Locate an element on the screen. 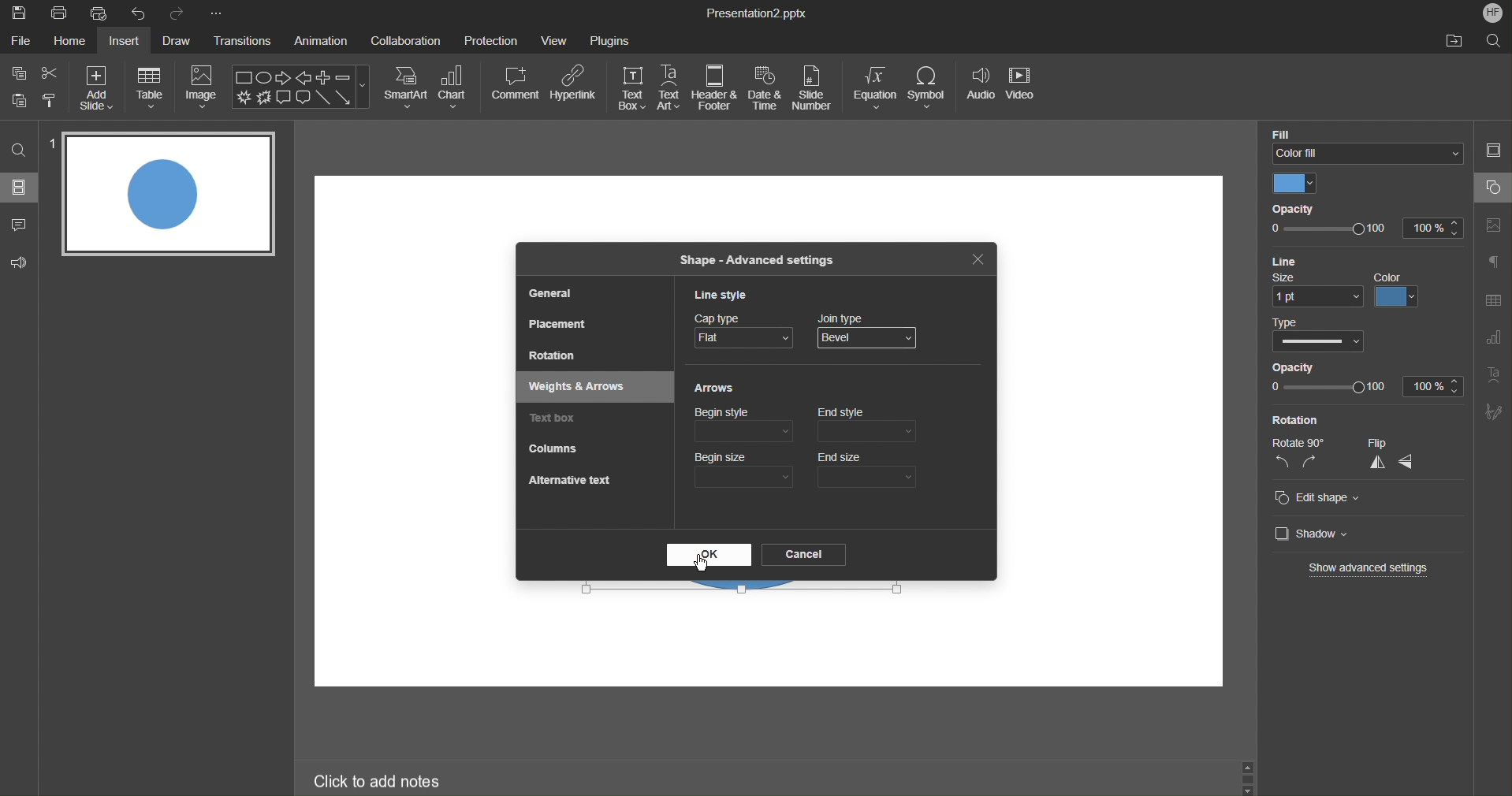  Text box is located at coordinates (556, 419).